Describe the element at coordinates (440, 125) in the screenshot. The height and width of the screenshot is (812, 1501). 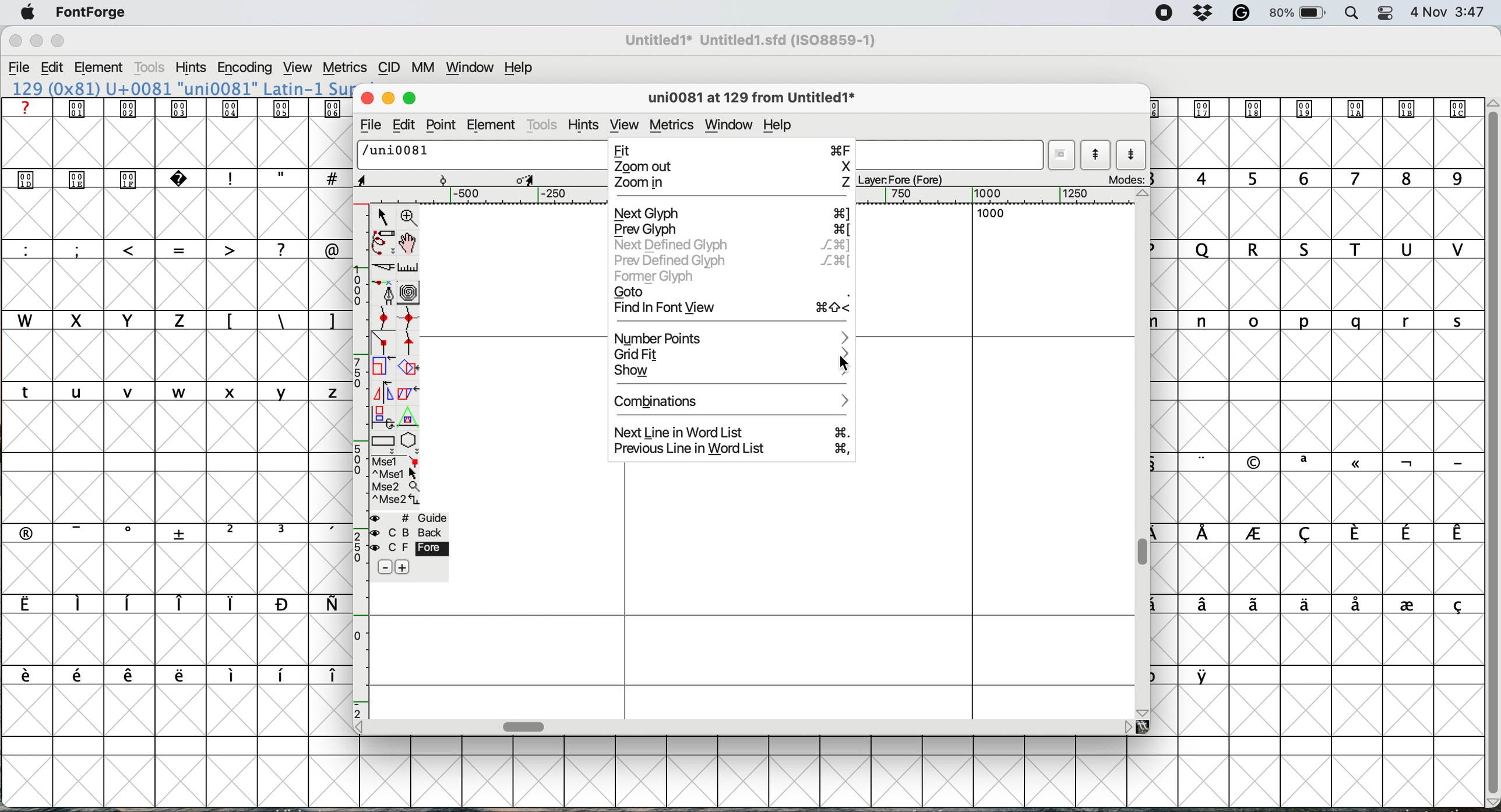
I see `point` at that location.